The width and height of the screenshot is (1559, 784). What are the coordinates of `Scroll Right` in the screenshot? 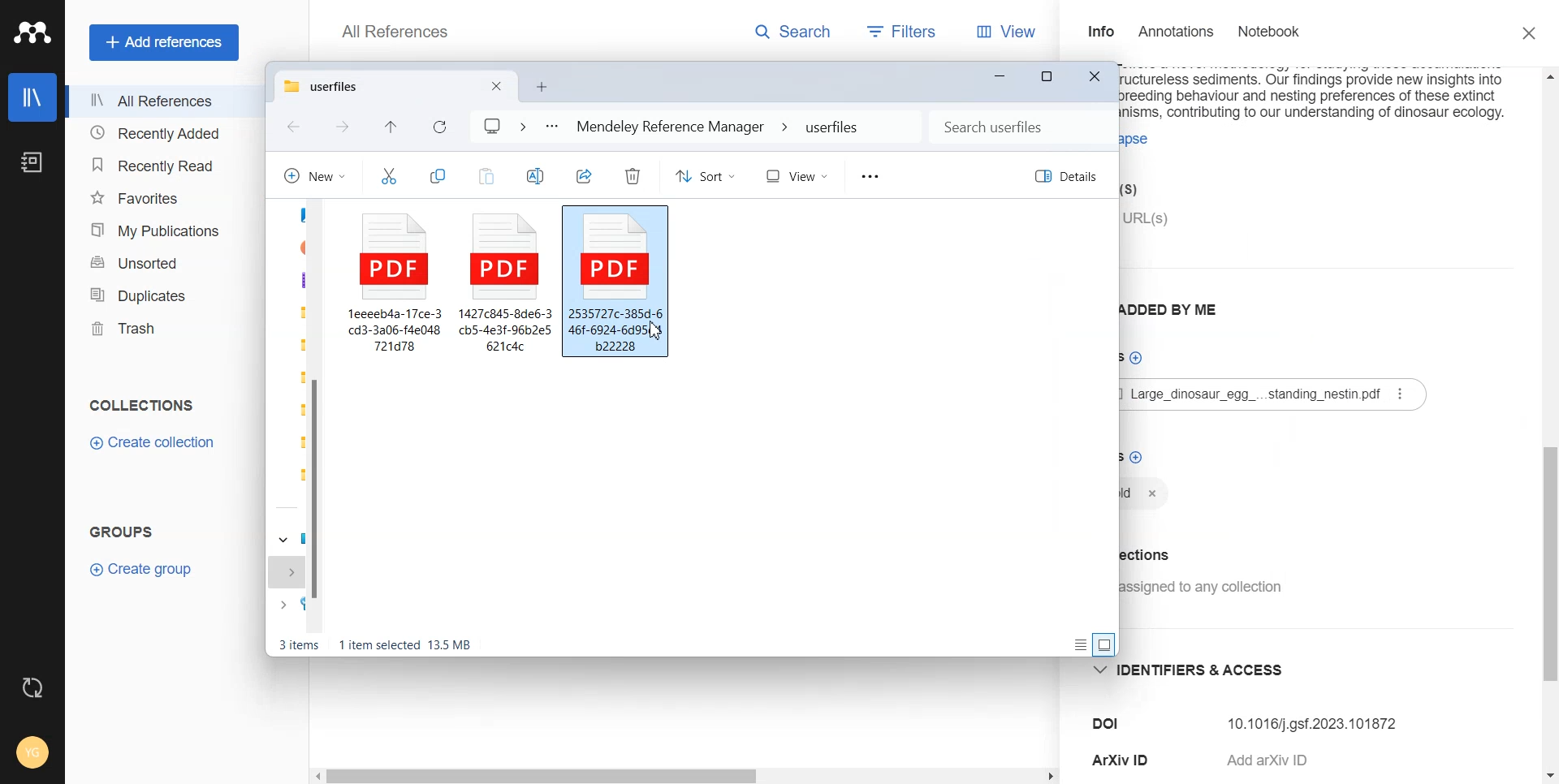 It's located at (1049, 778).